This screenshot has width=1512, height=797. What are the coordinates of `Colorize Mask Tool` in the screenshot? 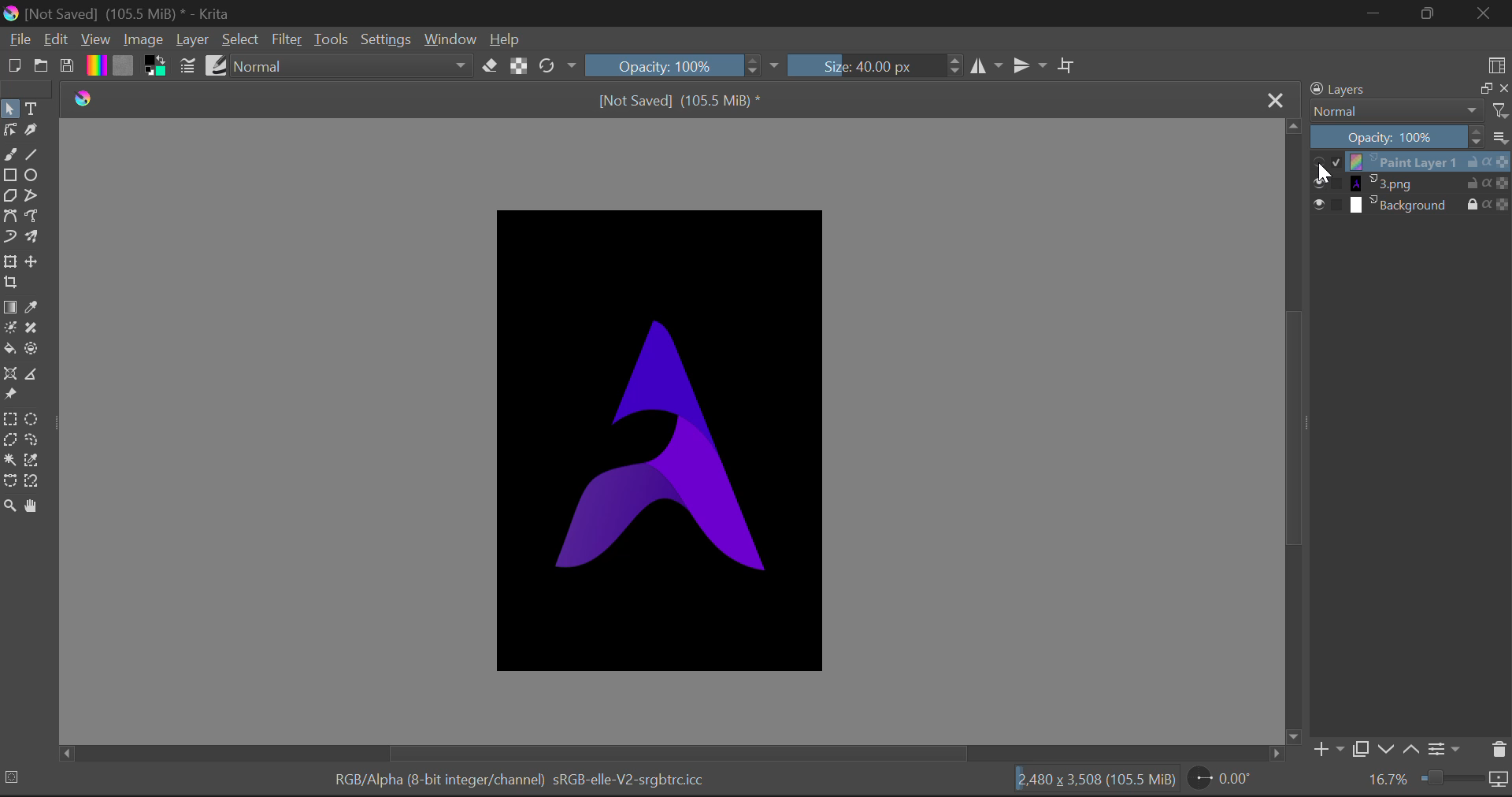 It's located at (9, 330).